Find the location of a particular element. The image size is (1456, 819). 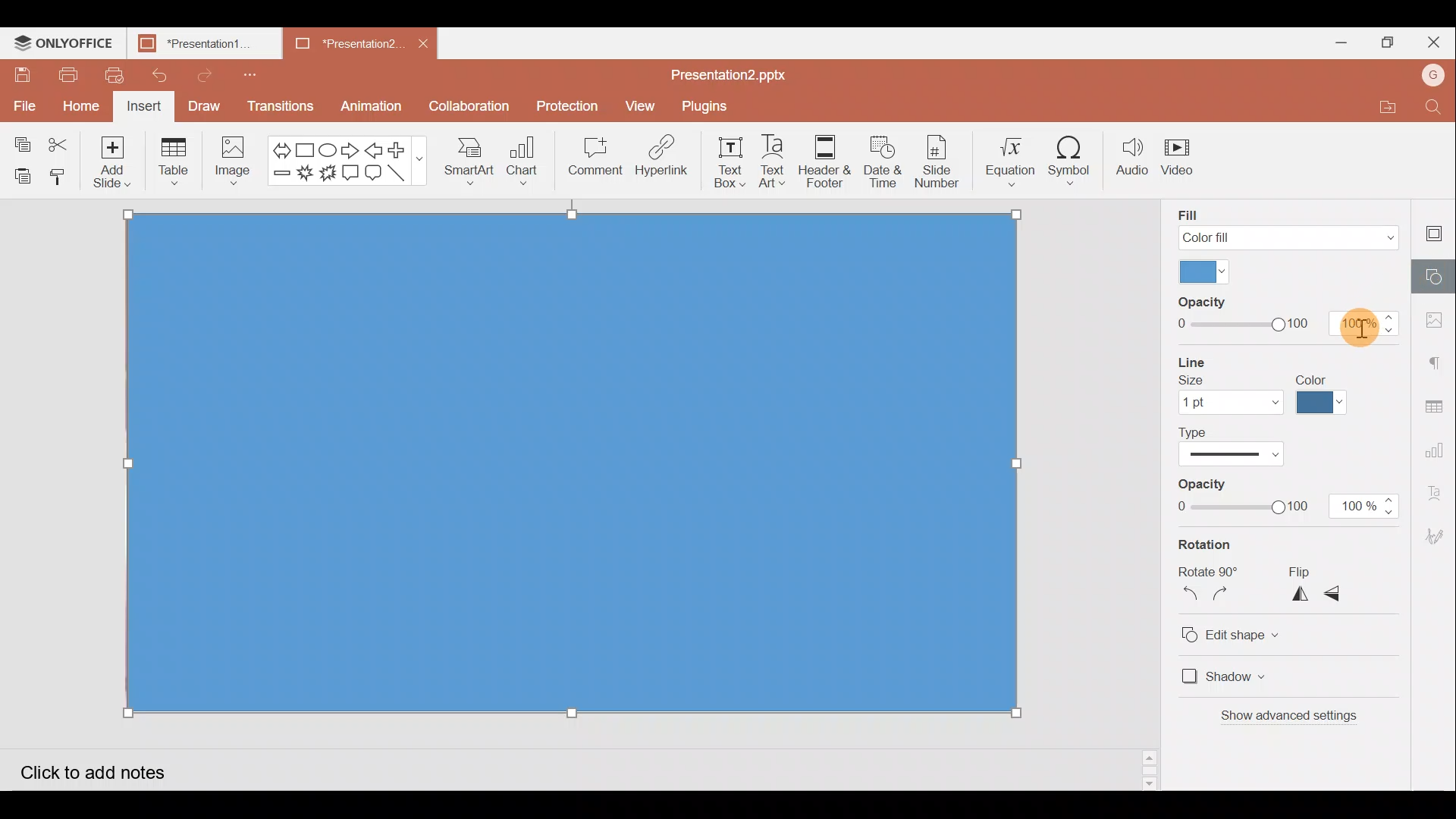

Ellipse is located at coordinates (329, 146).